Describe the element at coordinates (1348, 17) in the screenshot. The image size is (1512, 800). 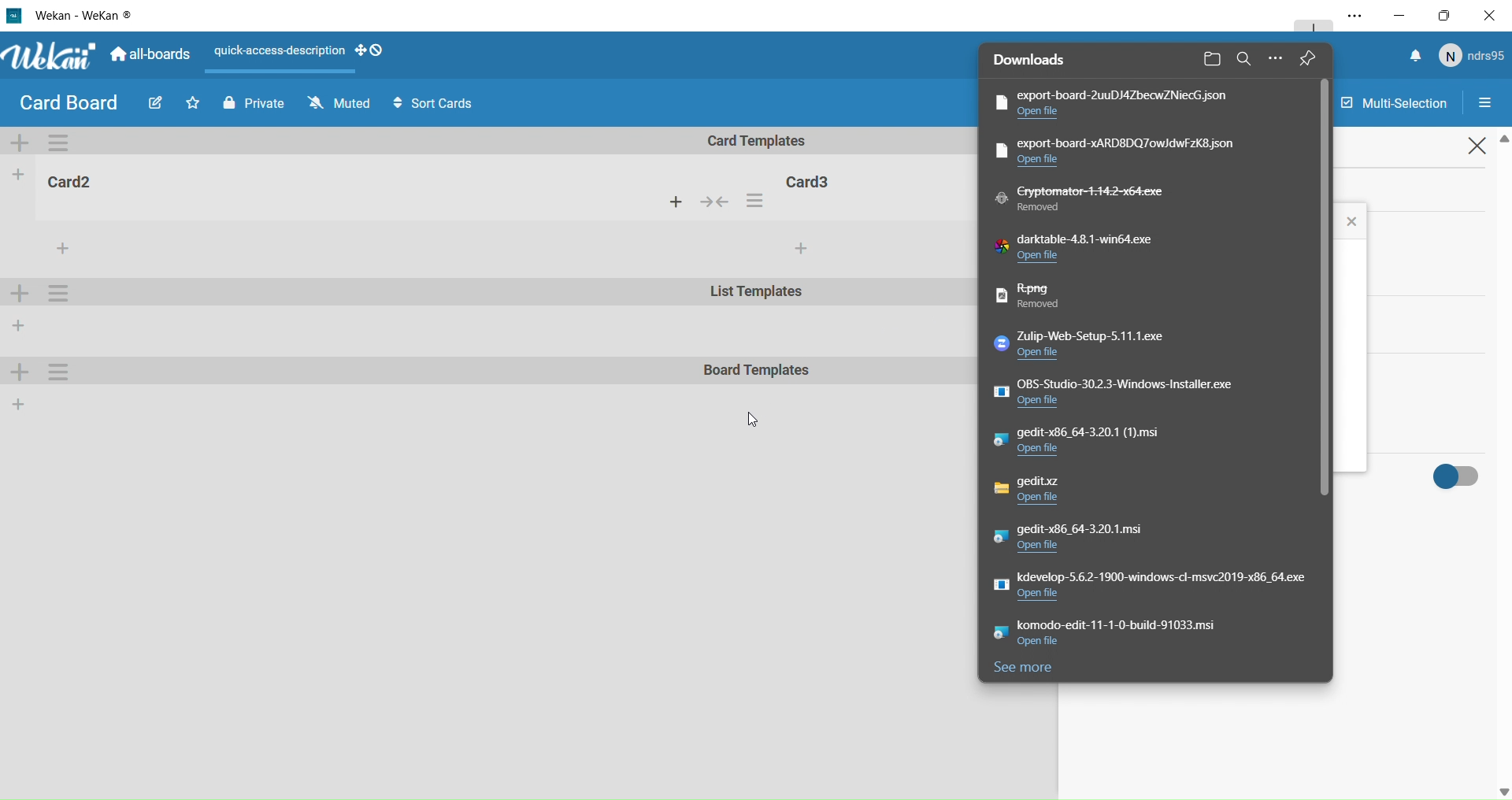
I see `Settings and more` at that location.